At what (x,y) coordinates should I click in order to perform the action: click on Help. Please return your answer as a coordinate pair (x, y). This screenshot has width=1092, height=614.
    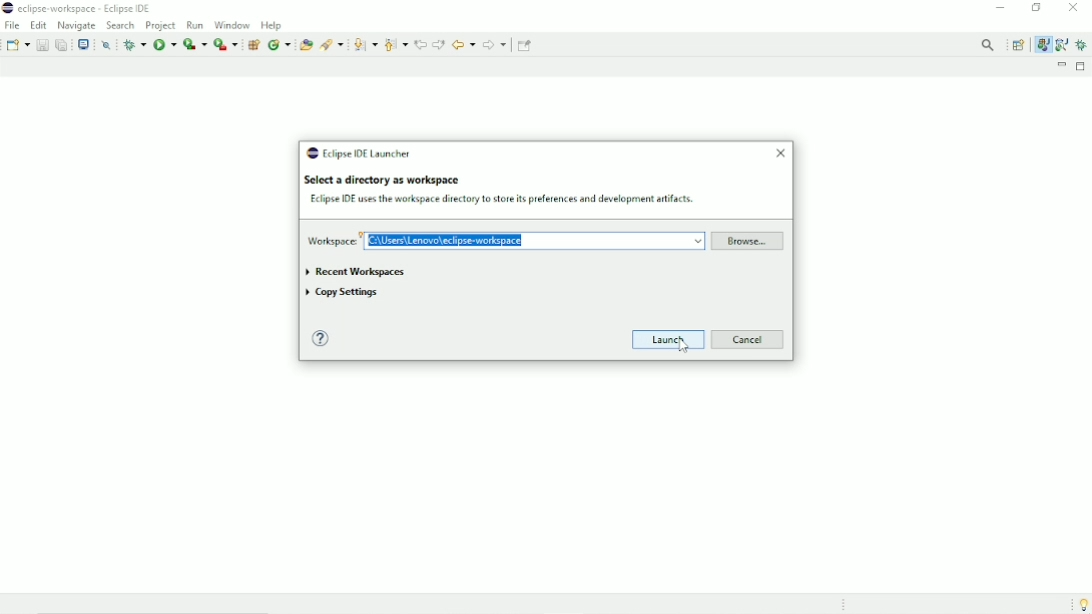
    Looking at the image, I should click on (323, 339).